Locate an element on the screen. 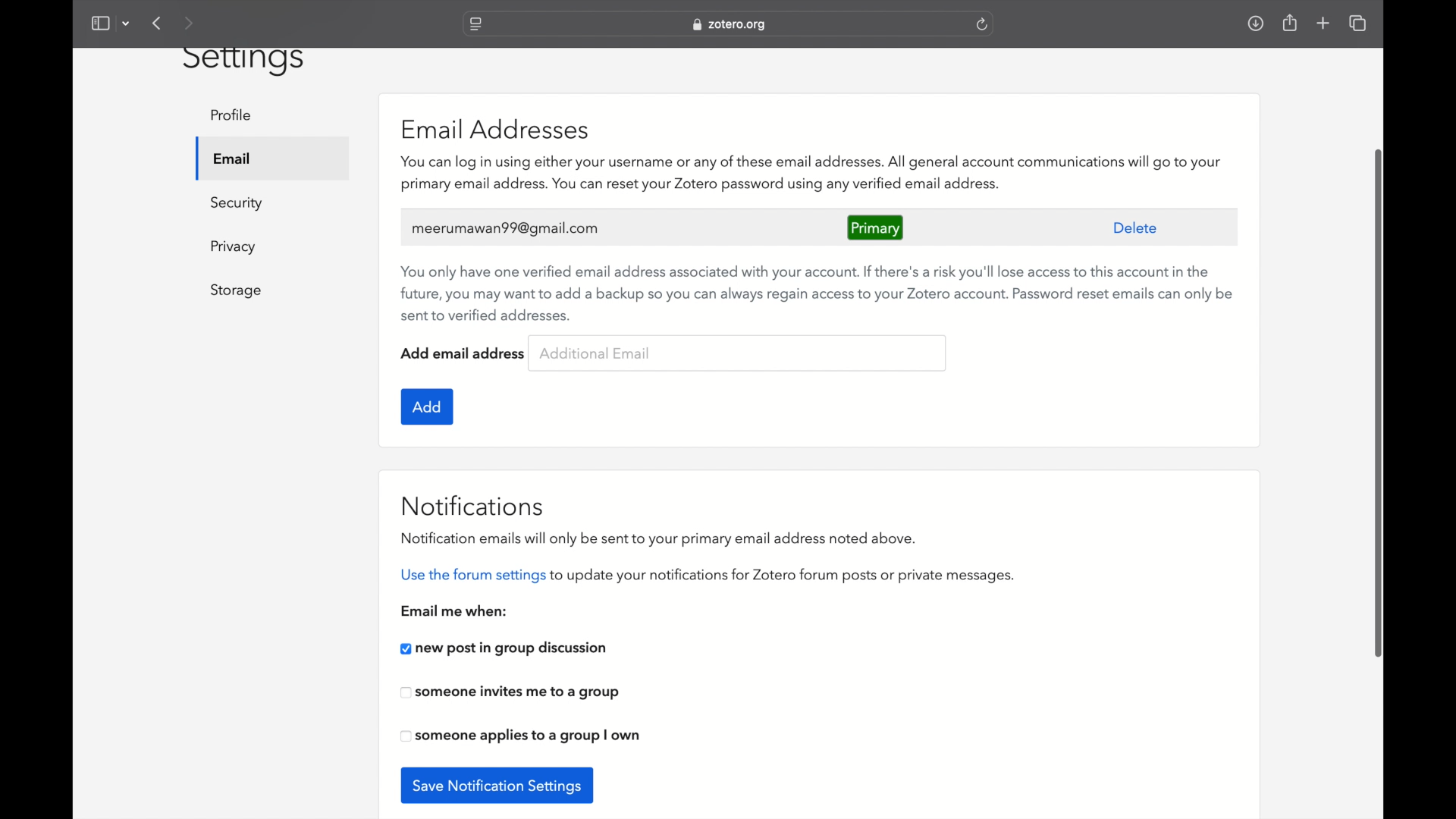 This screenshot has height=819, width=1456. dropdown is located at coordinates (126, 25).